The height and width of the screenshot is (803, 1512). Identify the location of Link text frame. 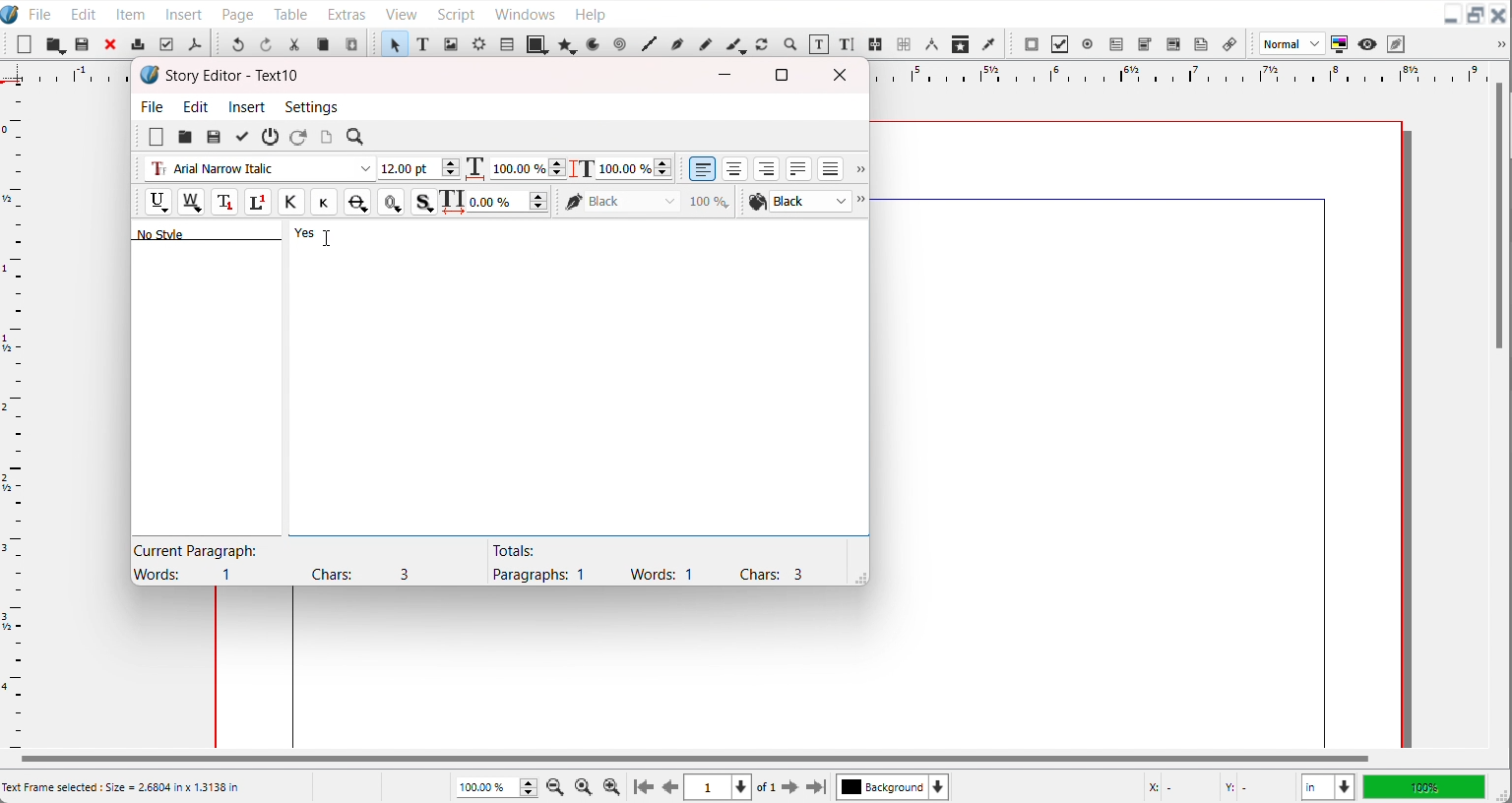
(876, 45).